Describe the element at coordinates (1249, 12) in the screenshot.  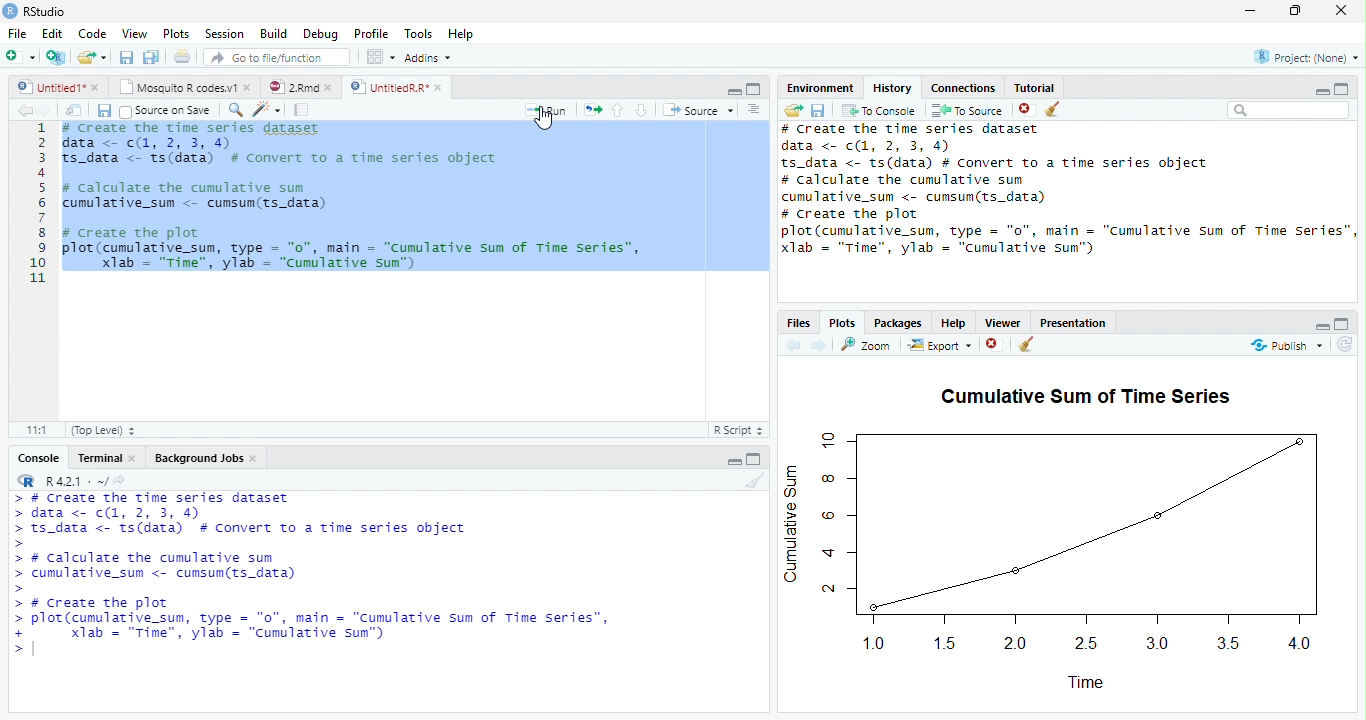
I see `minimize` at that location.